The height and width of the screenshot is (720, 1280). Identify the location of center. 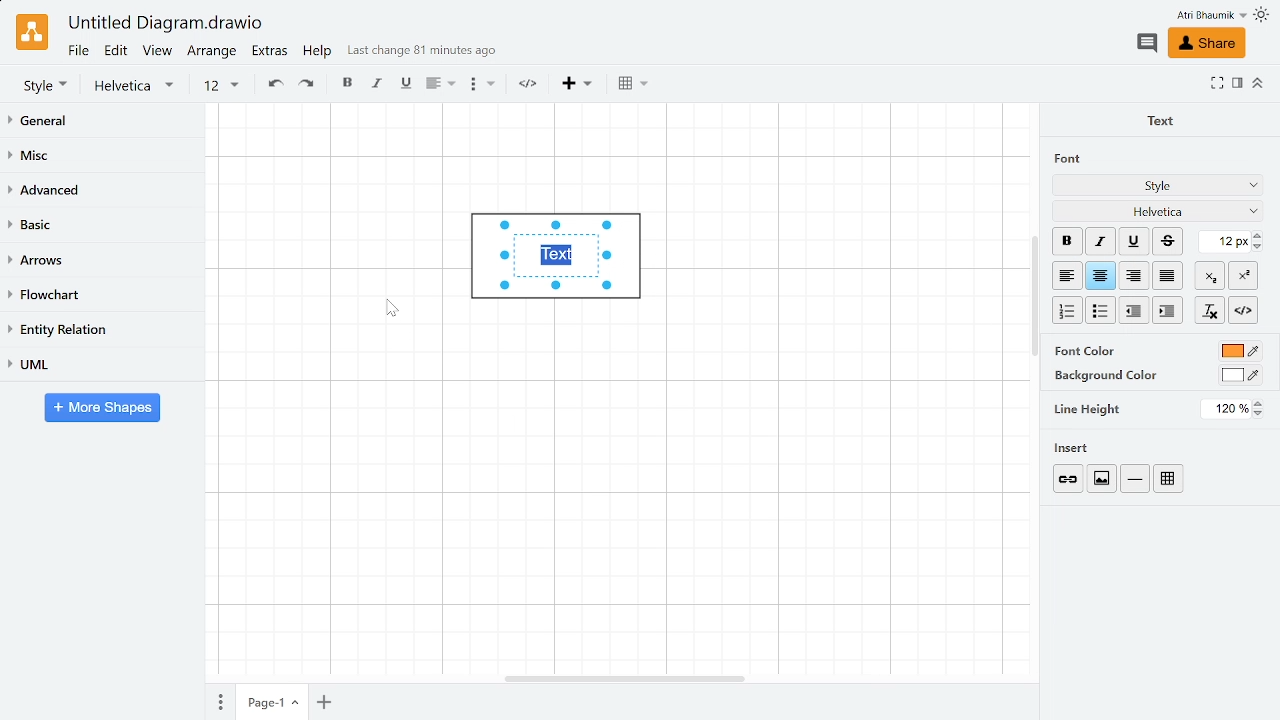
(1101, 276).